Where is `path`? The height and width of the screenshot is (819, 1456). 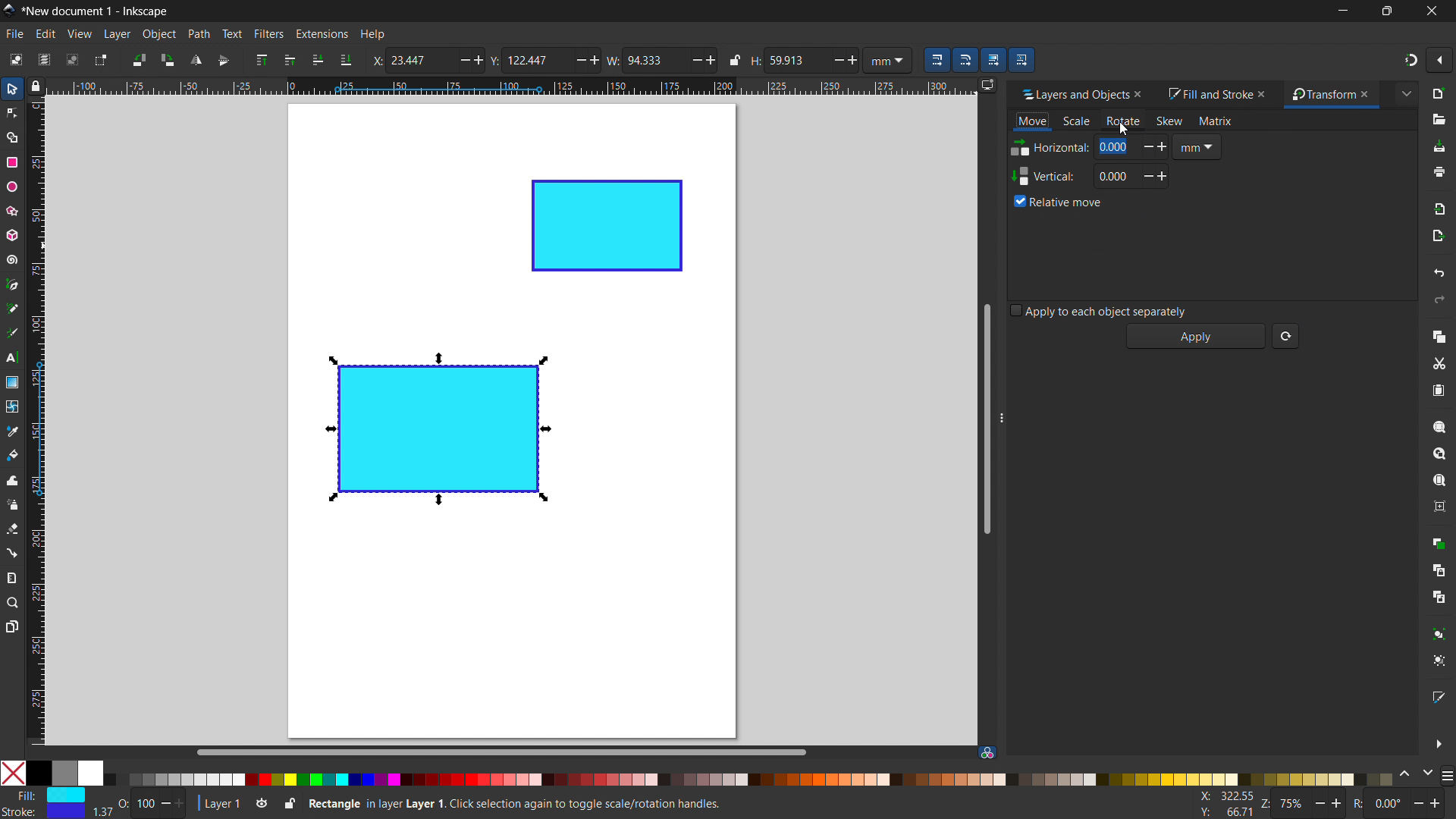 path is located at coordinates (199, 34).